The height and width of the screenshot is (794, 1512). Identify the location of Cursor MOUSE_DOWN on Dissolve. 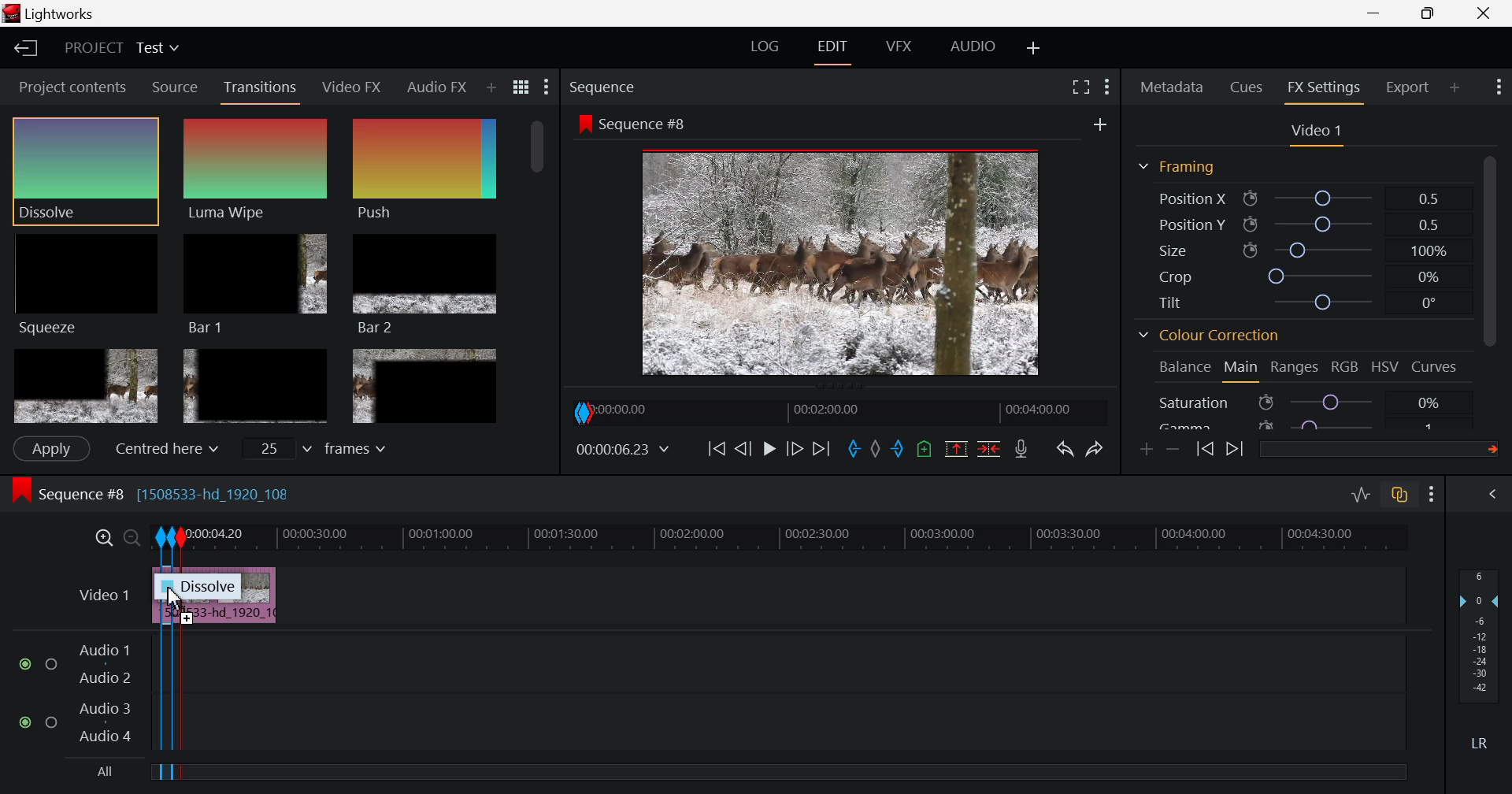
(86, 171).